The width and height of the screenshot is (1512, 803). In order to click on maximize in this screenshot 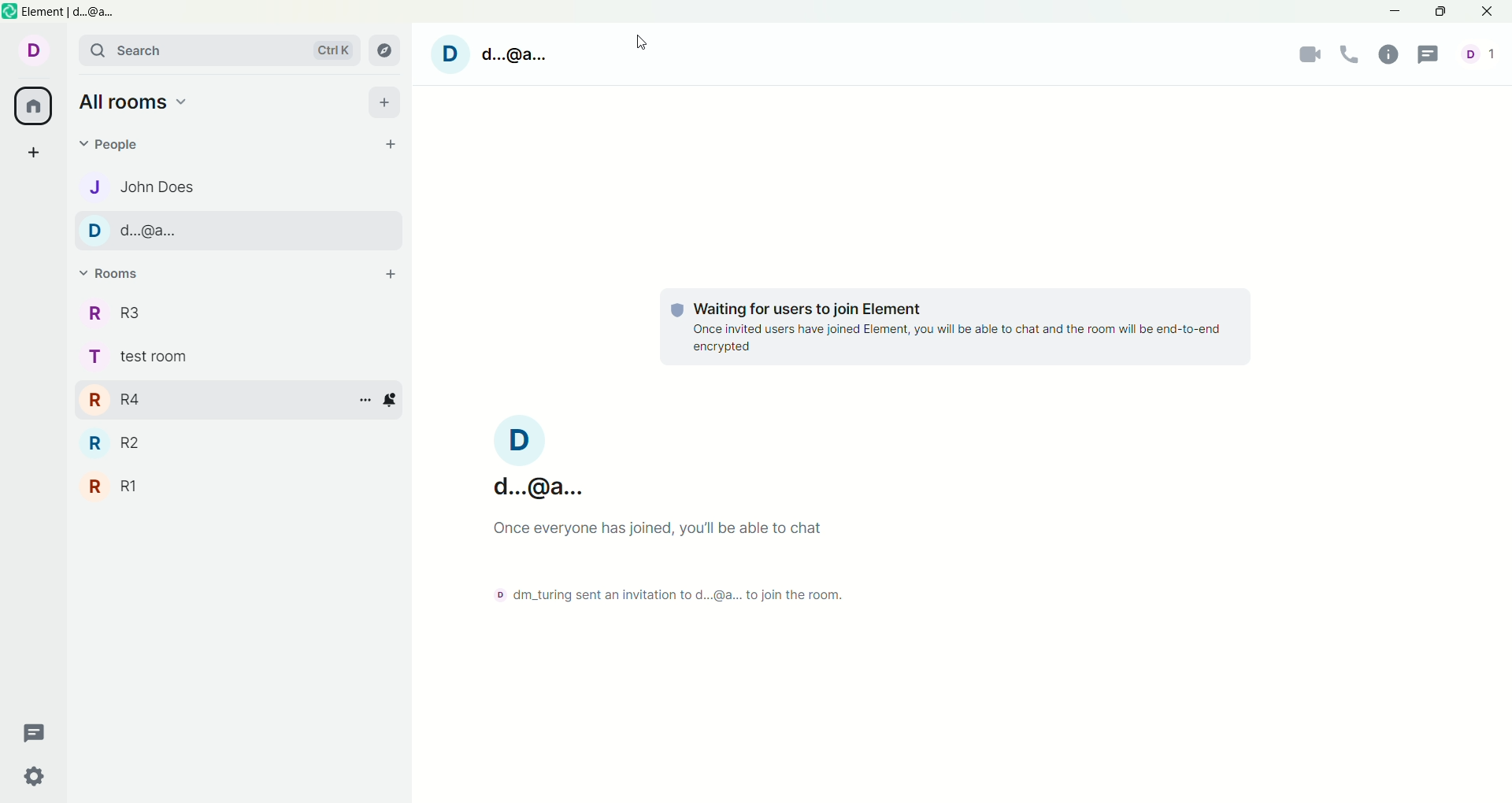, I will do `click(1442, 13)`.